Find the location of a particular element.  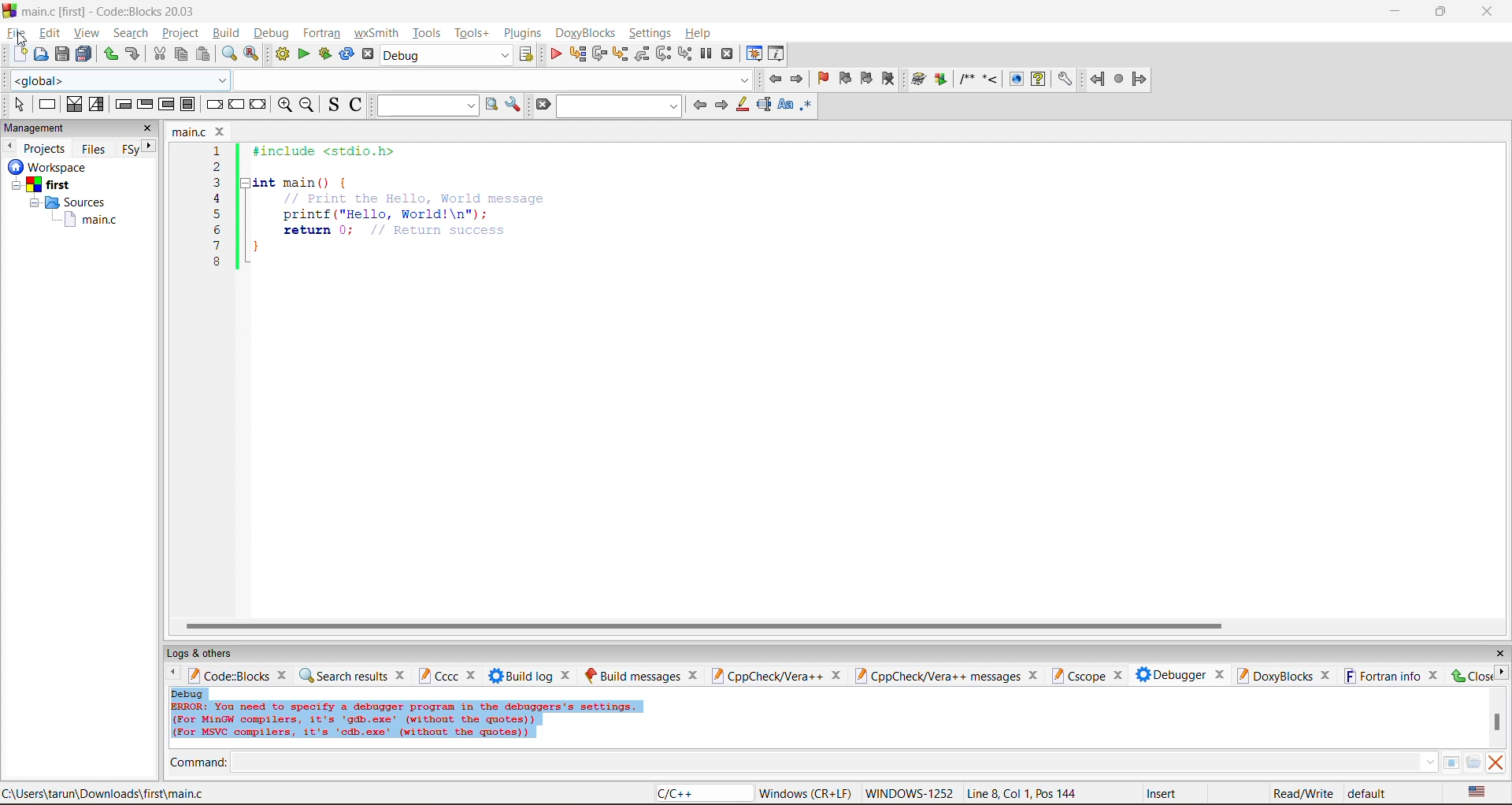

entry condition loop is located at coordinates (123, 104).